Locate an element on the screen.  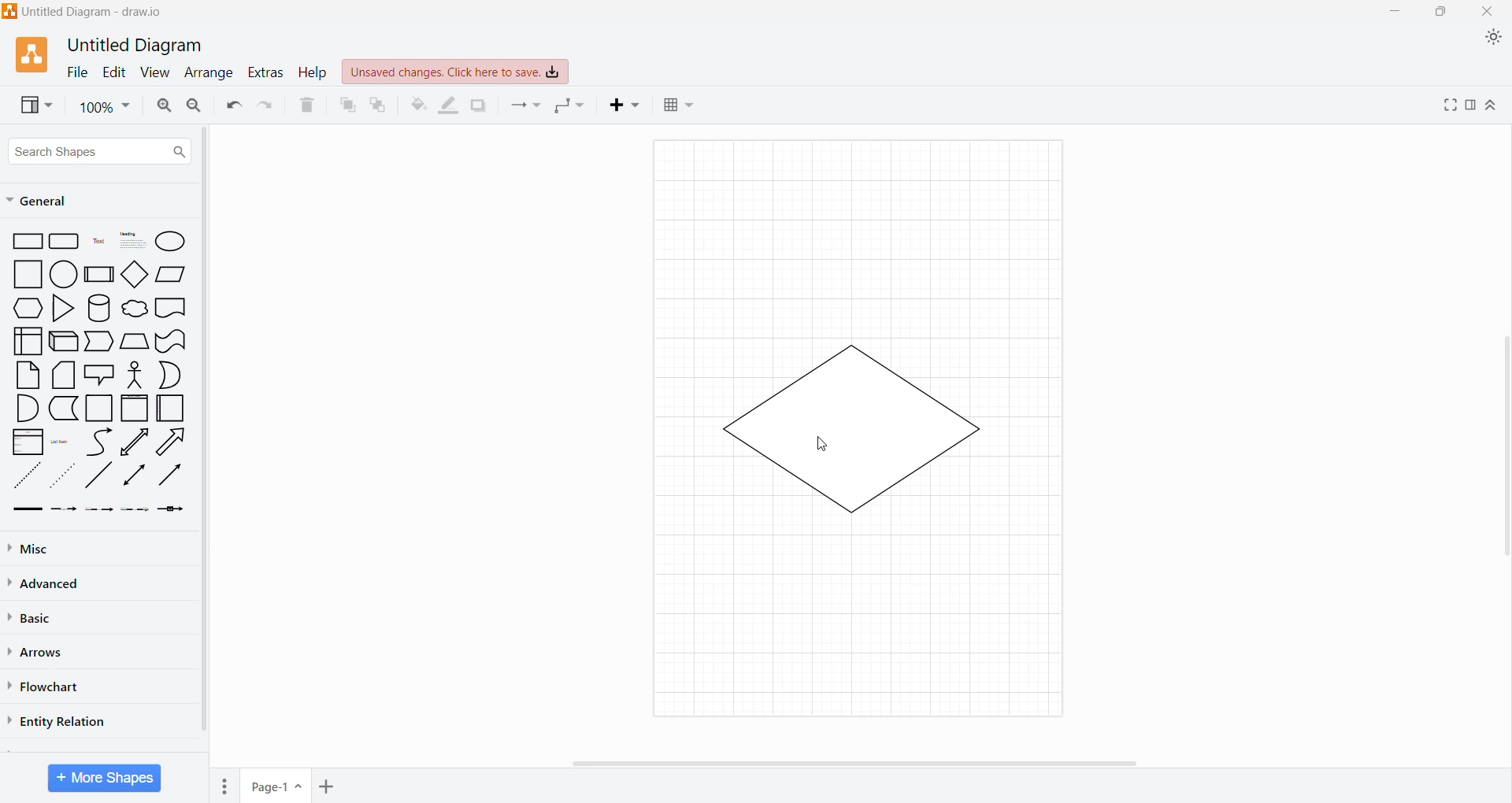
Line is located at coordinates (98, 478).